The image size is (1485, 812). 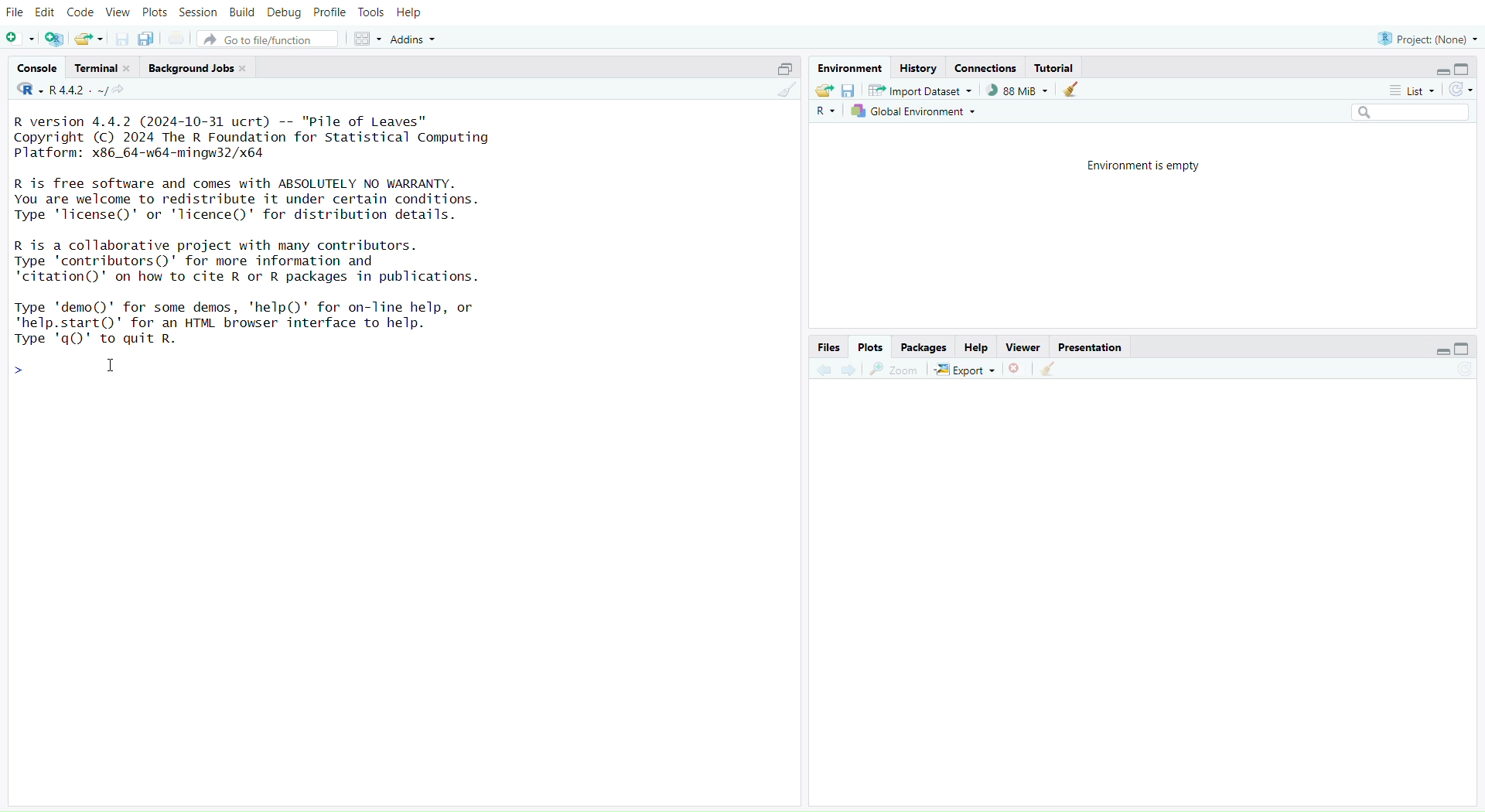 What do you see at coordinates (1018, 369) in the screenshot?
I see `remove current plot` at bounding box center [1018, 369].